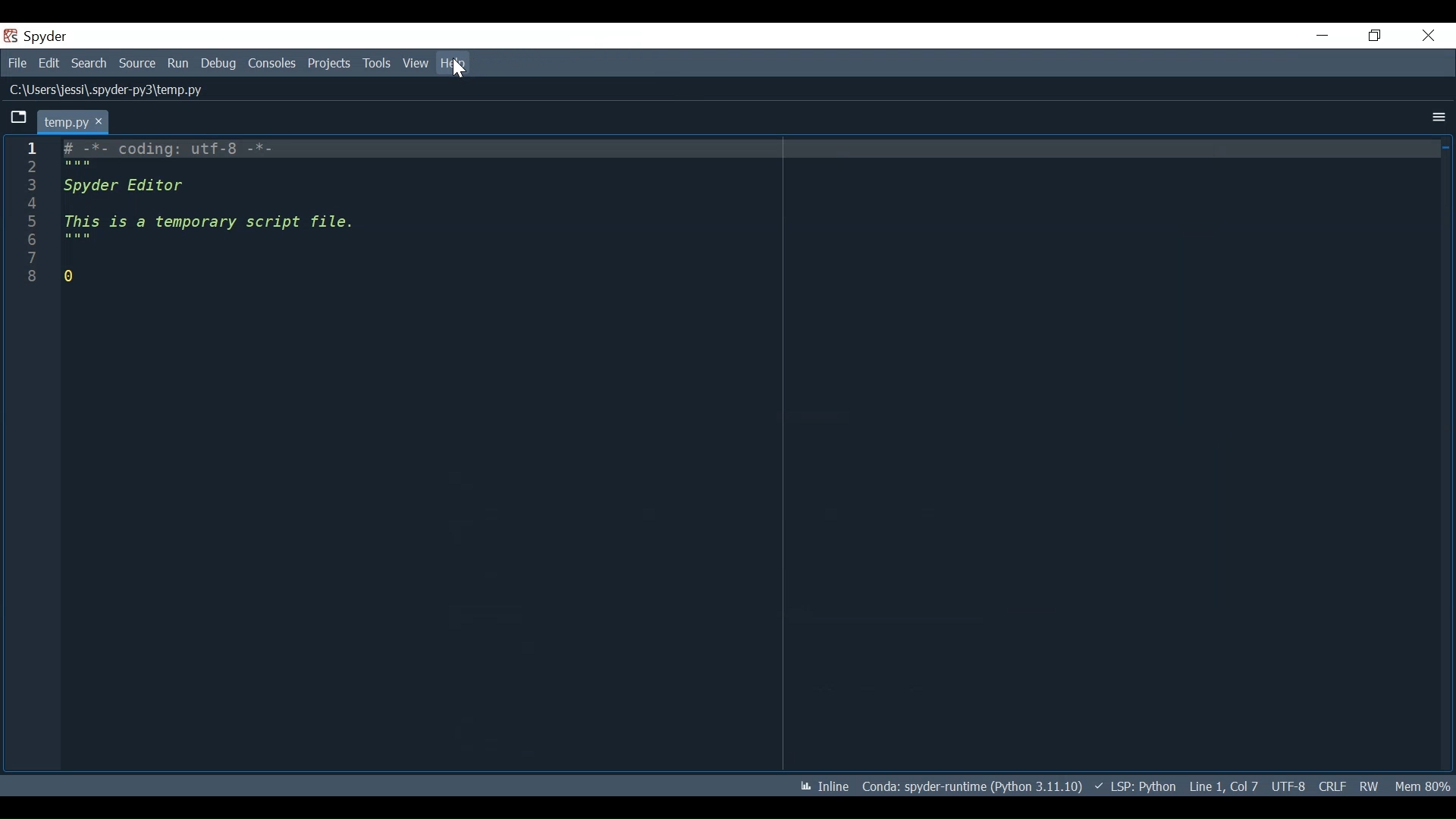 The image size is (1456, 819). What do you see at coordinates (818, 787) in the screenshot?
I see `Inline` at bounding box center [818, 787].